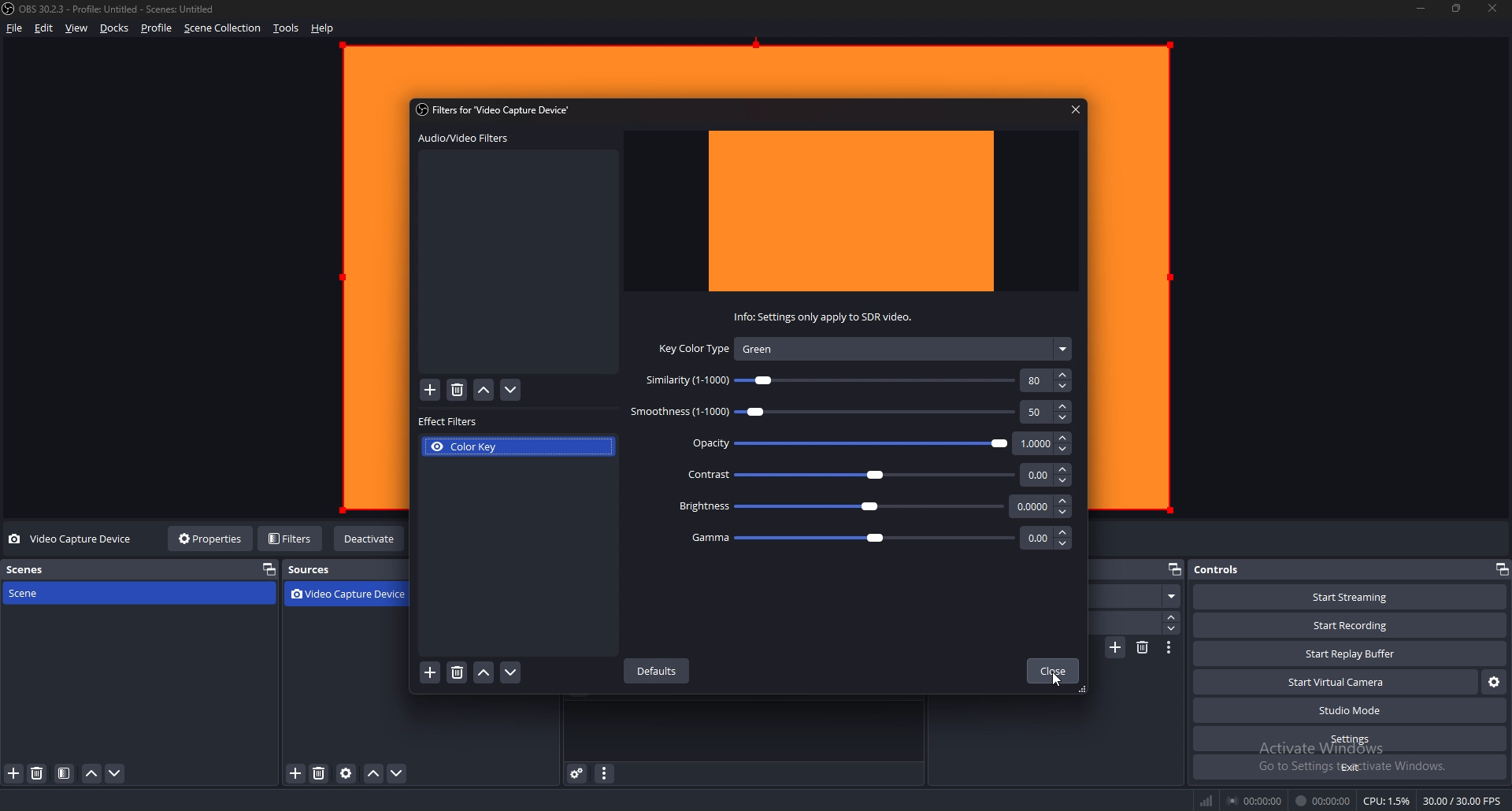  What do you see at coordinates (1457, 9) in the screenshot?
I see `resize` at bounding box center [1457, 9].